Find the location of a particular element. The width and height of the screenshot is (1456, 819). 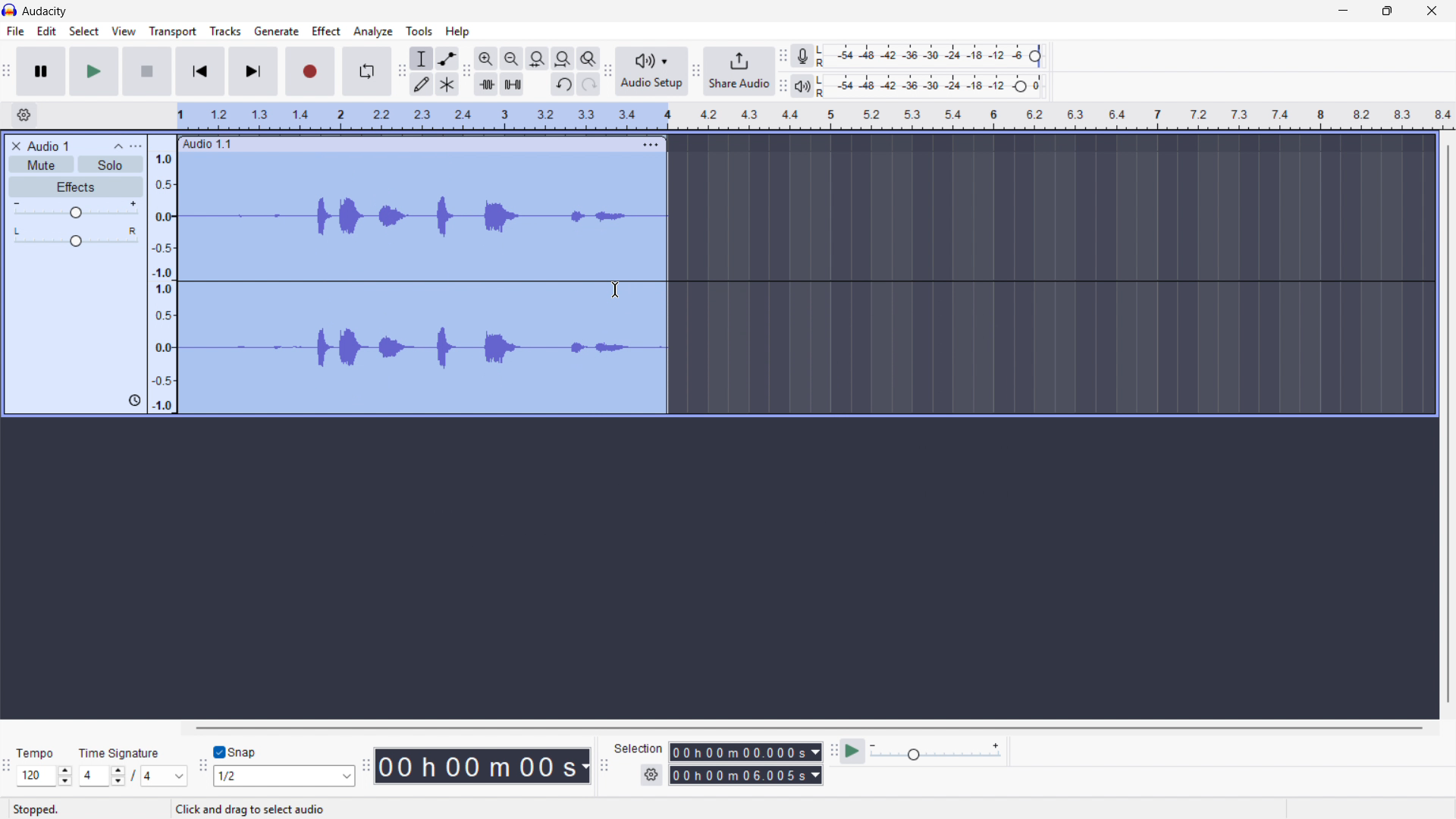

Horizontal scroll bar is located at coordinates (807, 728).